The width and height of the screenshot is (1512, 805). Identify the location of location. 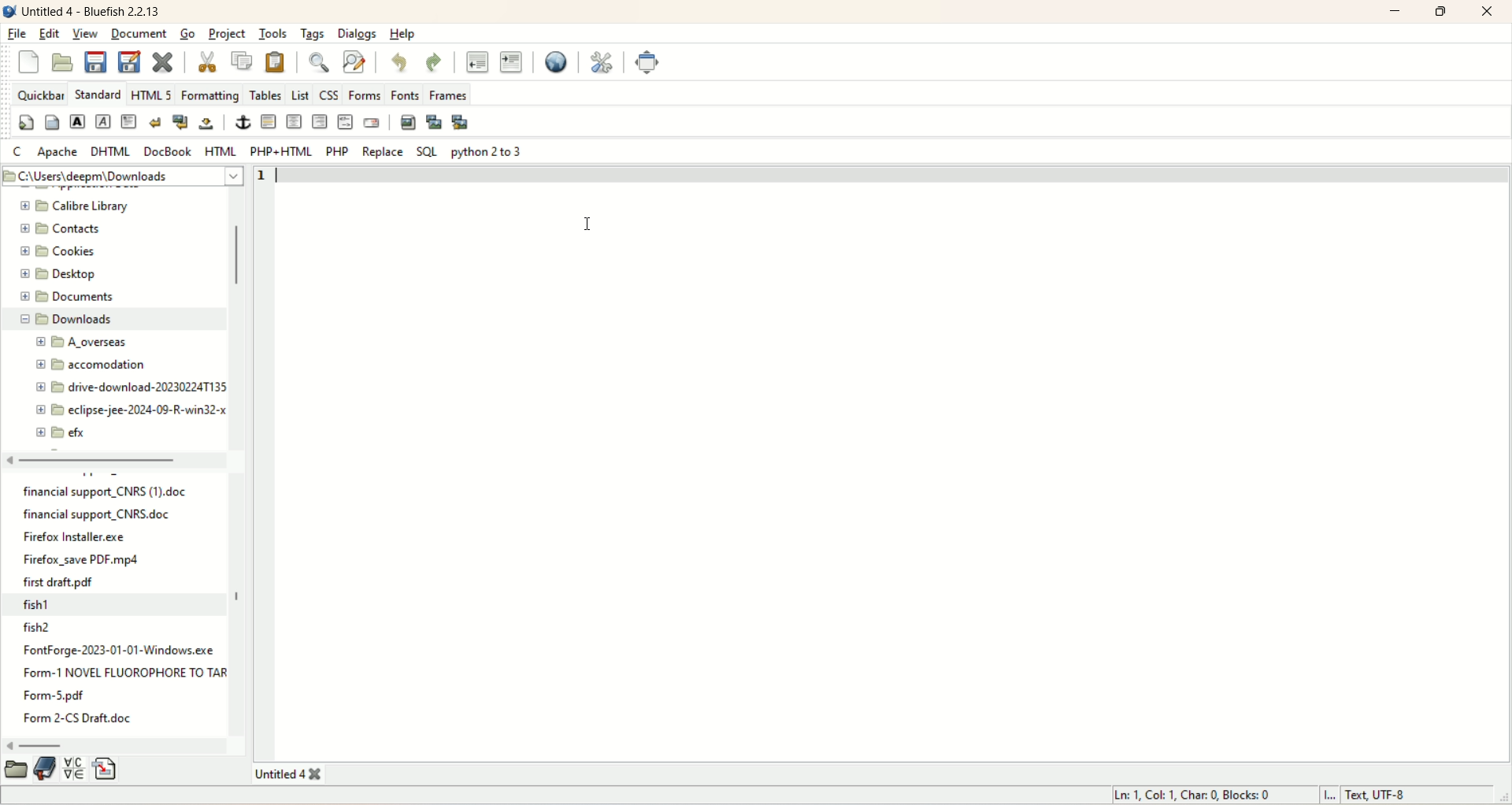
(124, 177).